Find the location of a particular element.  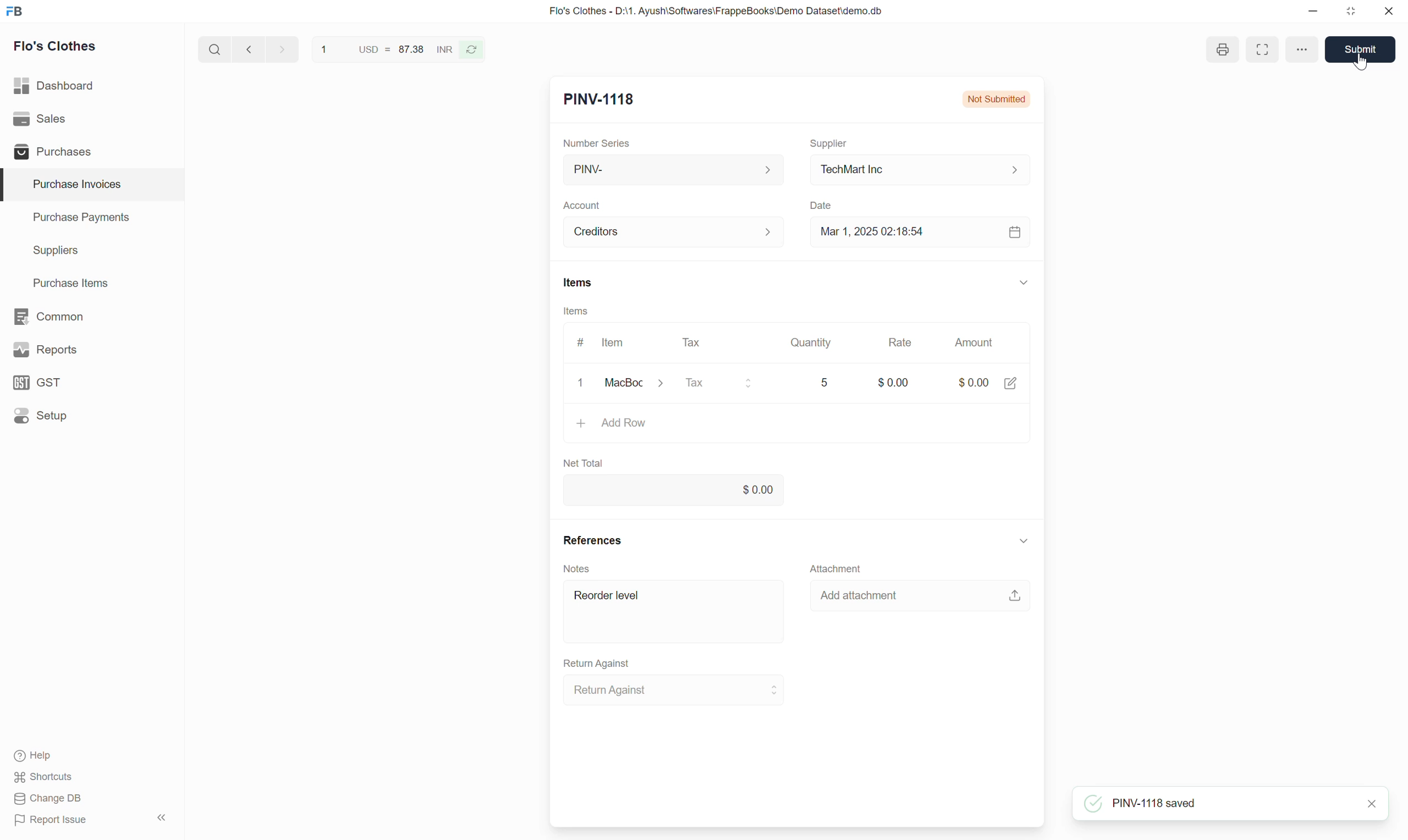

Reorder level is located at coordinates (675, 611).